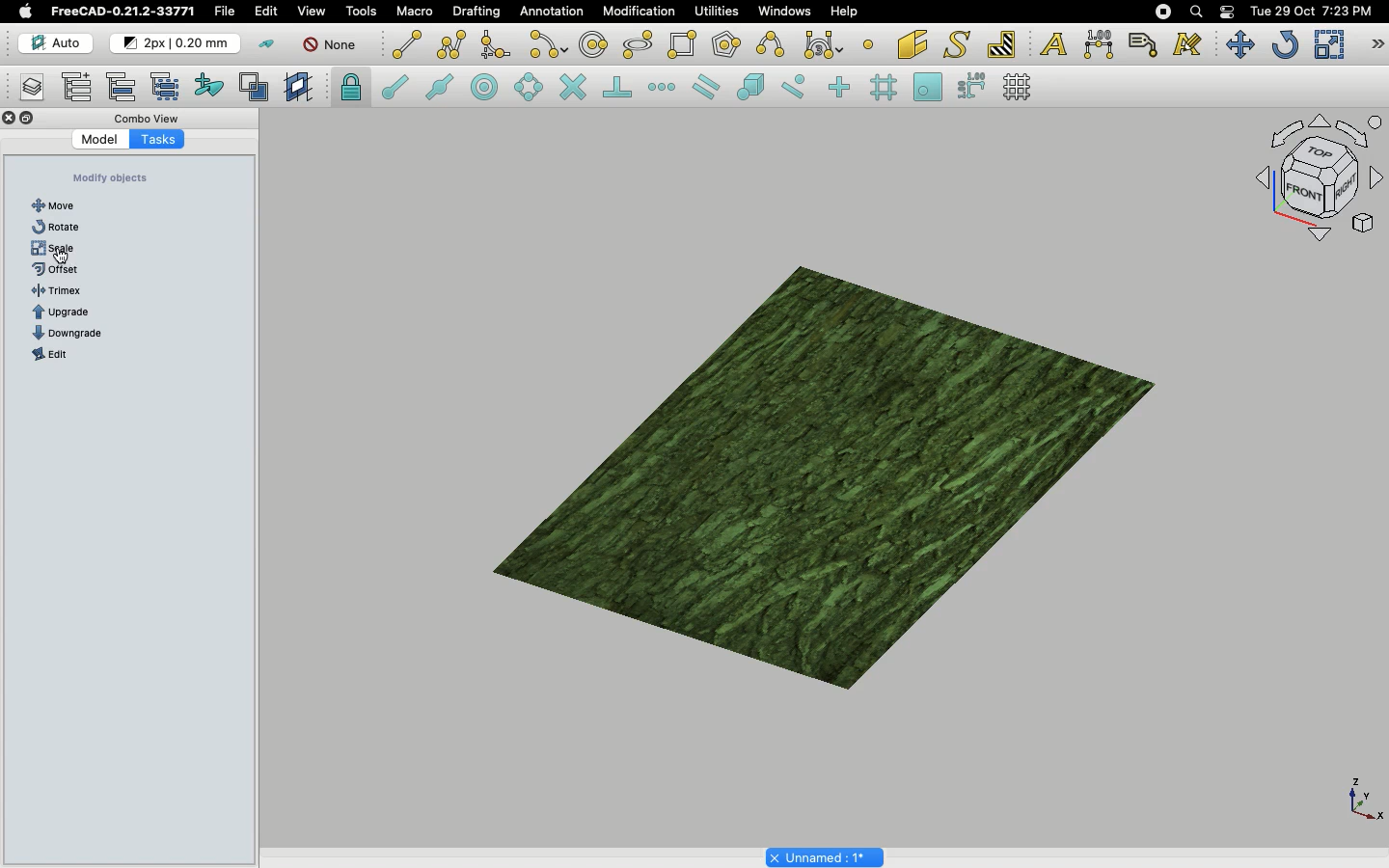  I want to click on Tools, so click(364, 12).